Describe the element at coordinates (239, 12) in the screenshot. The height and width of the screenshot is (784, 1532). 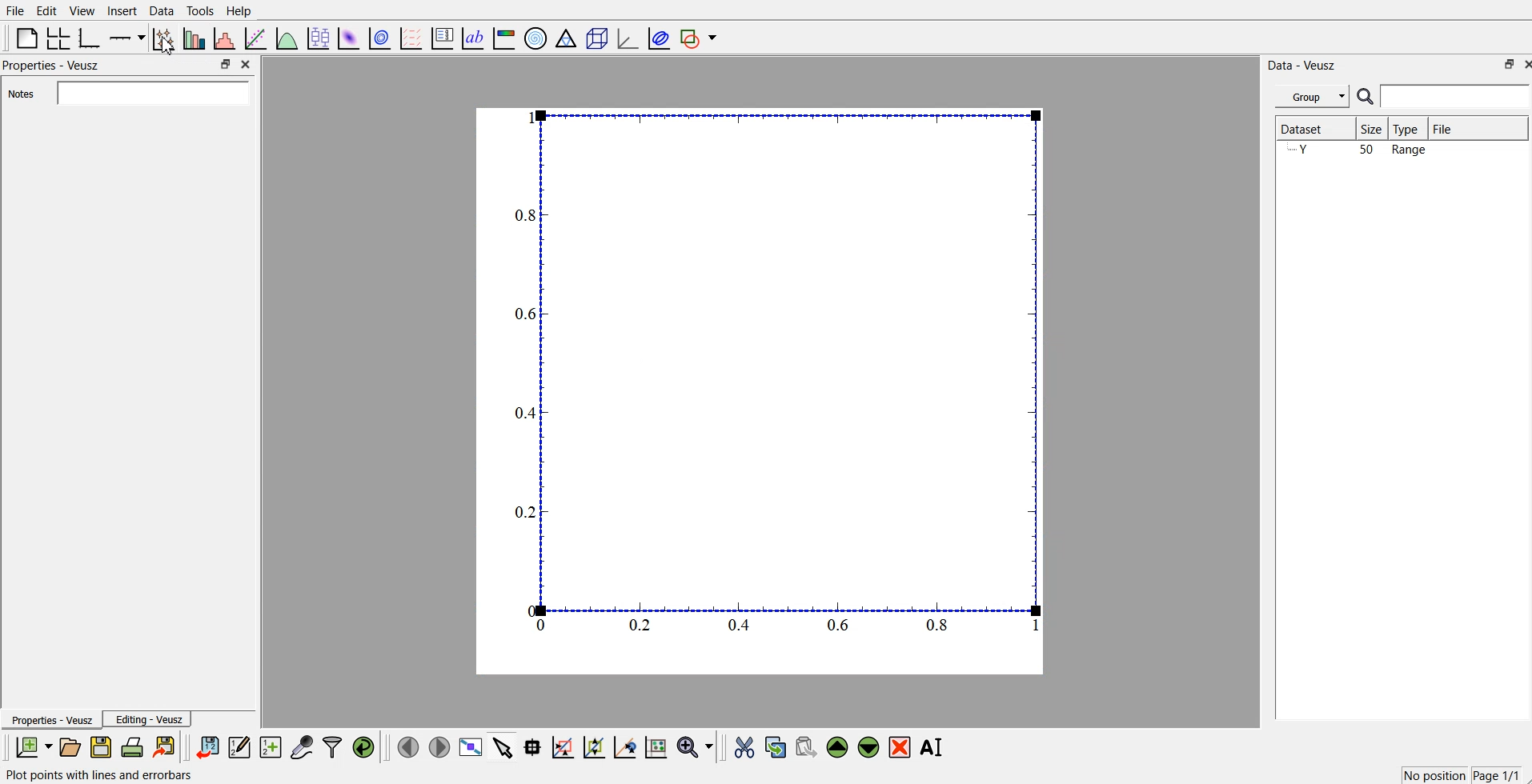
I see `Help` at that location.